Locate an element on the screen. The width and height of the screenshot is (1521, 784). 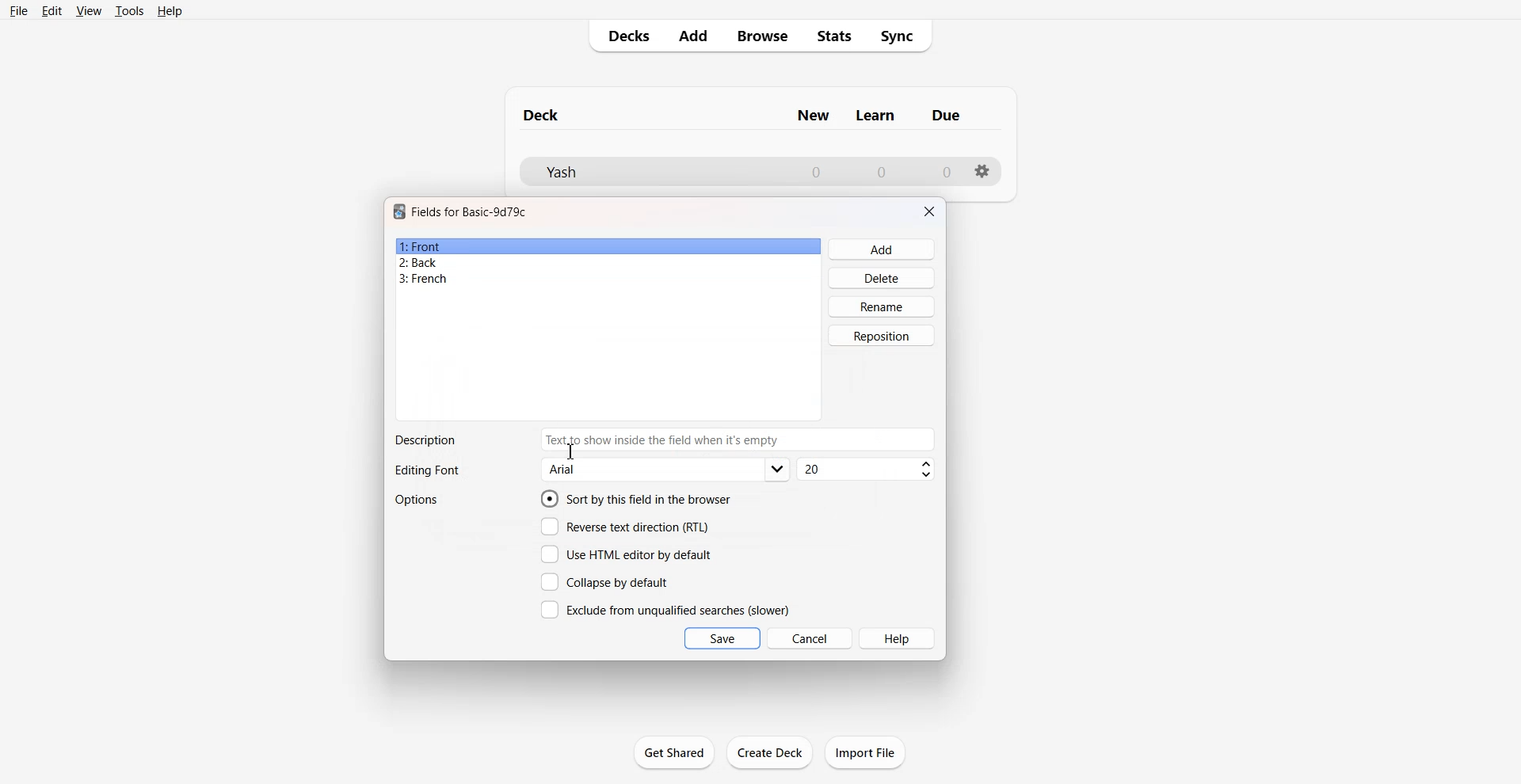
Import File is located at coordinates (865, 752).